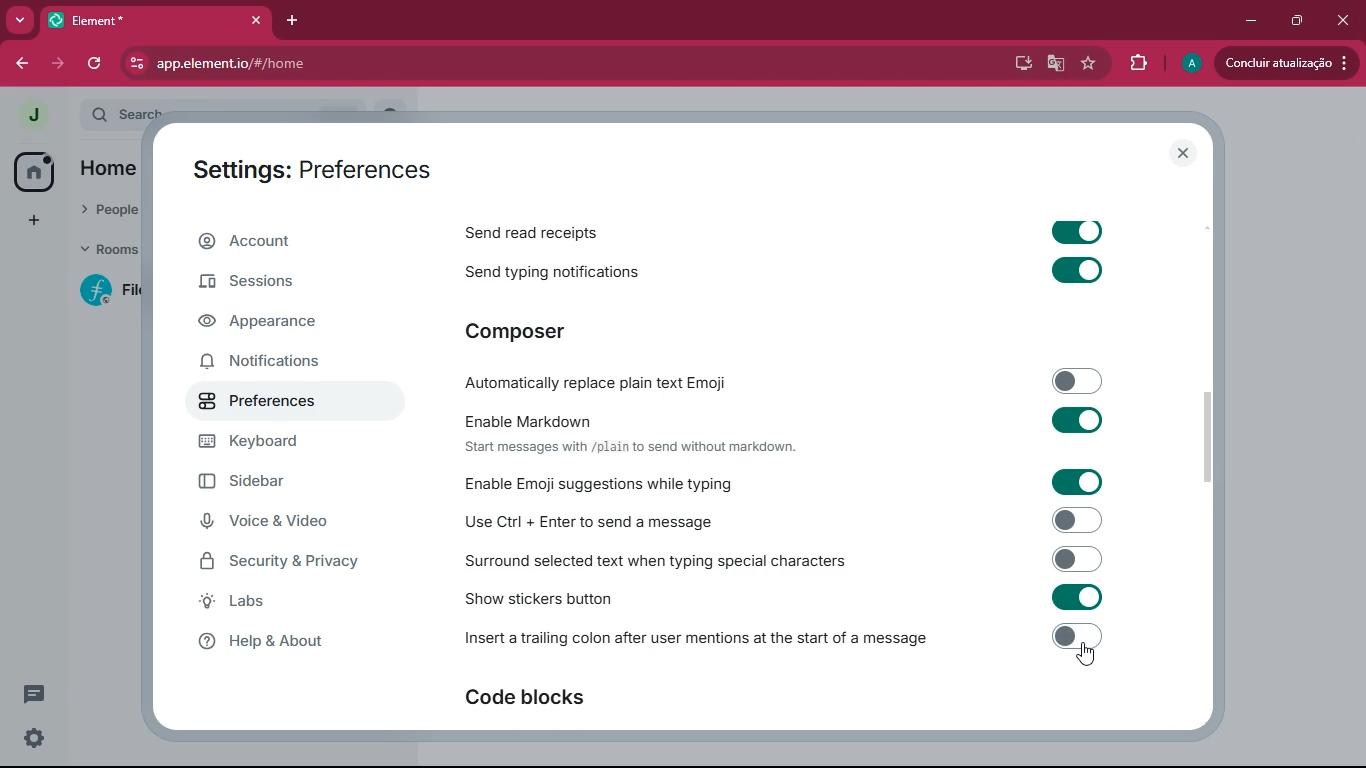  Describe the element at coordinates (277, 324) in the screenshot. I see `appearance` at that location.